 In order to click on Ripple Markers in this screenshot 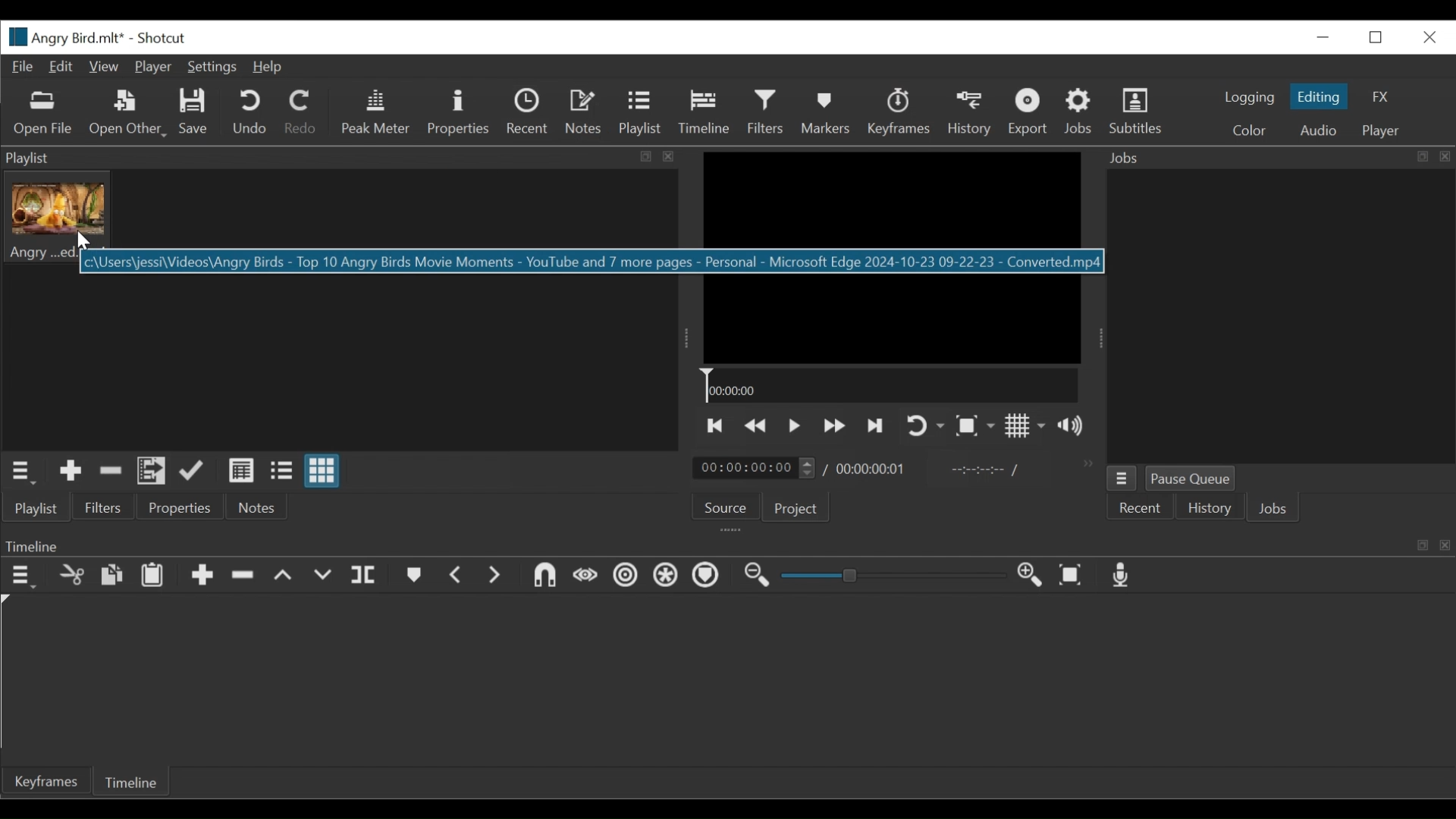, I will do `click(709, 577)`.